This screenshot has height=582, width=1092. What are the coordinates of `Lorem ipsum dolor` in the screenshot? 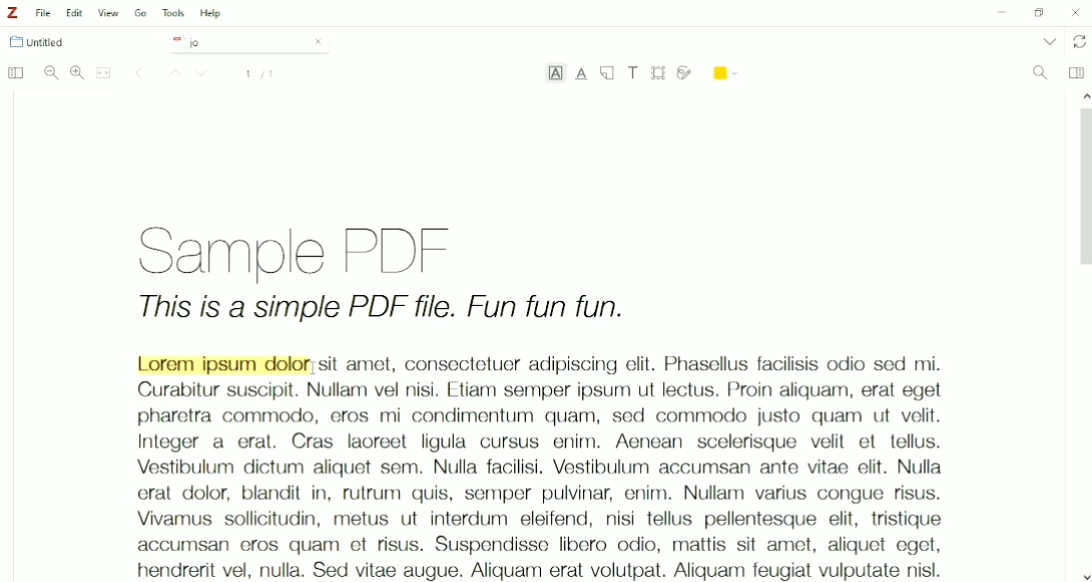 It's located at (223, 364).